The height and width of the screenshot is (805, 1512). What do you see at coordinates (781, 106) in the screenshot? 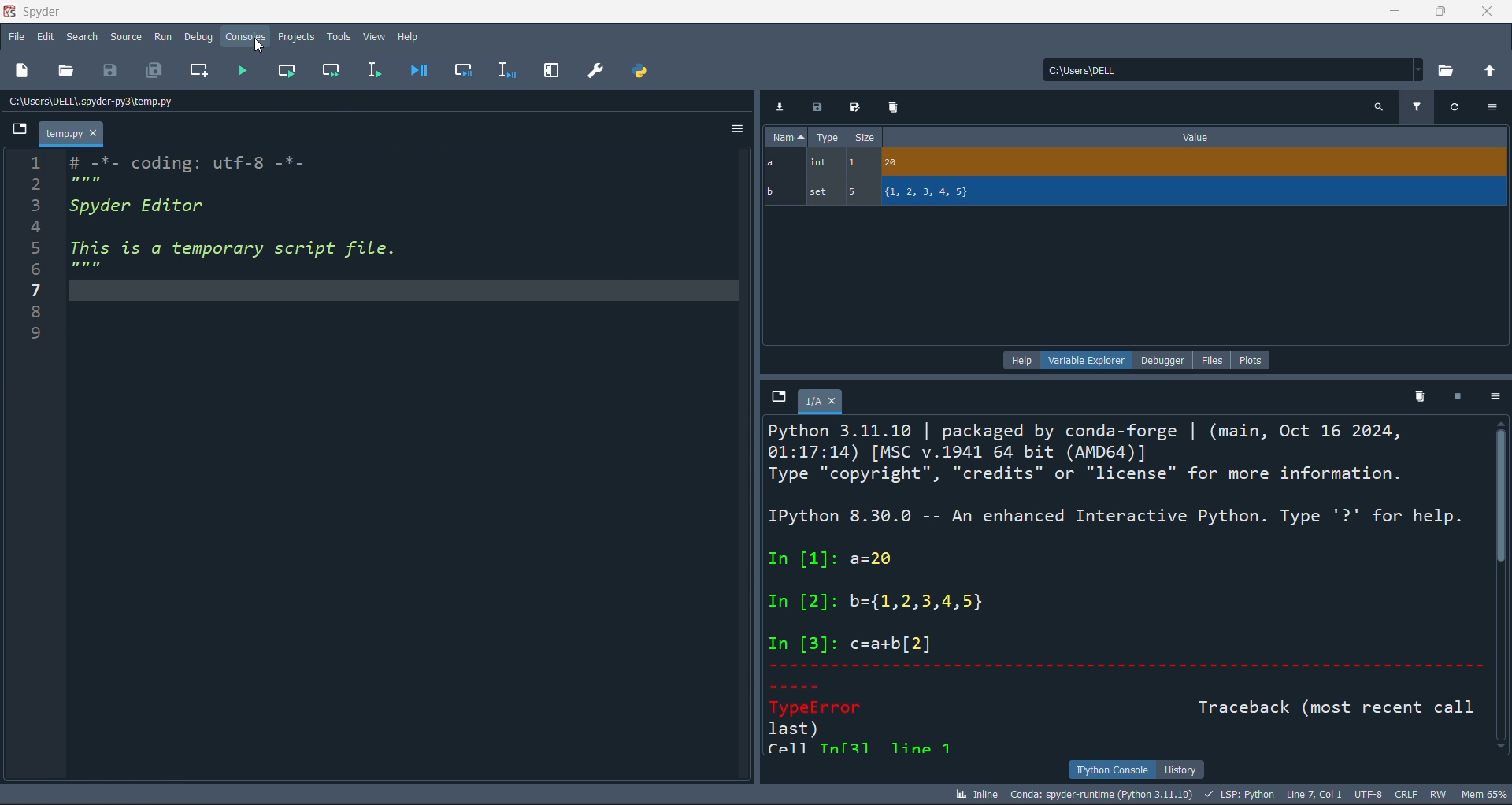
I see `import ` at bounding box center [781, 106].